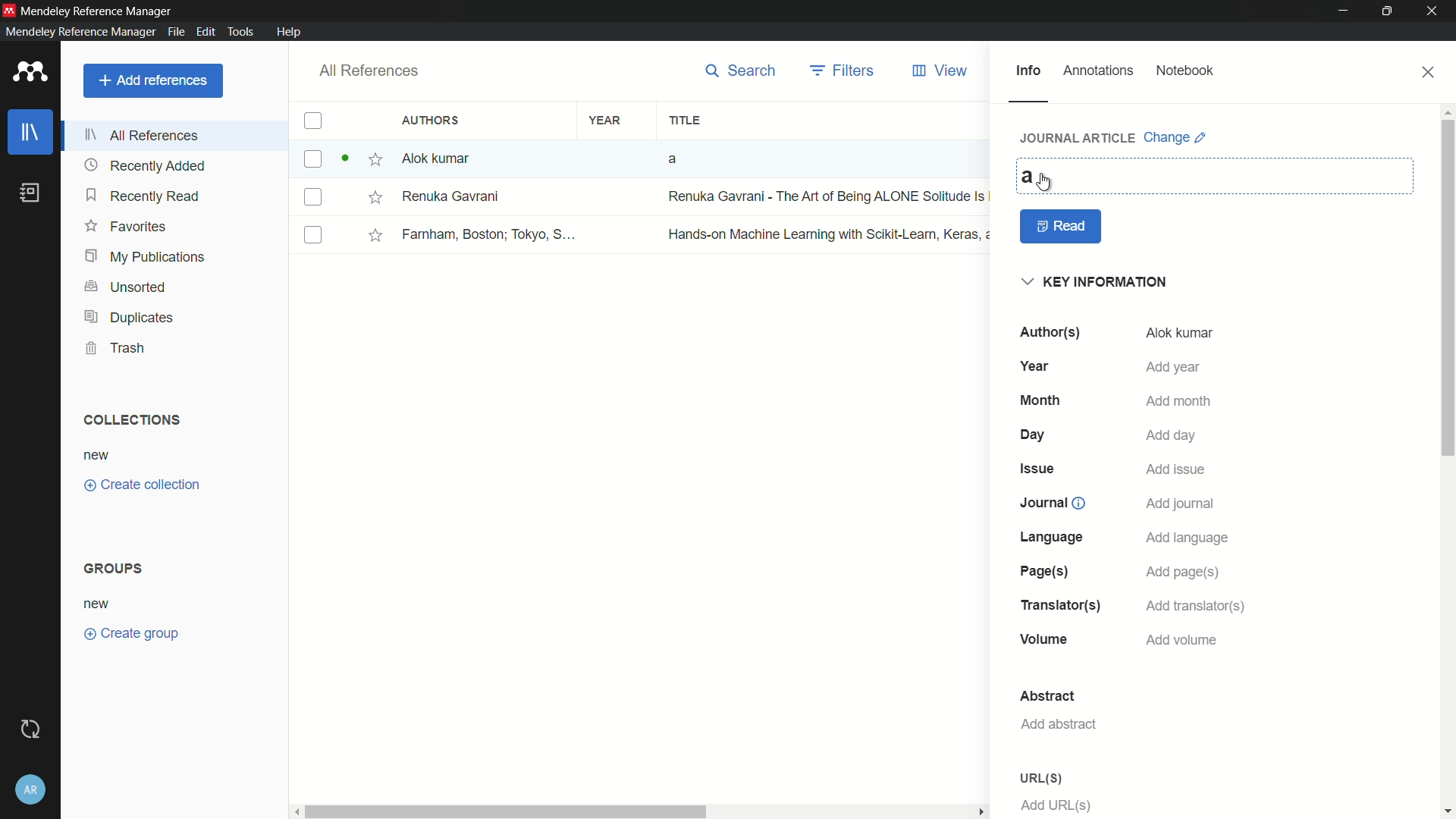 This screenshot has width=1456, height=819. What do you see at coordinates (33, 789) in the screenshot?
I see `account and help` at bounding box center [33, 789].